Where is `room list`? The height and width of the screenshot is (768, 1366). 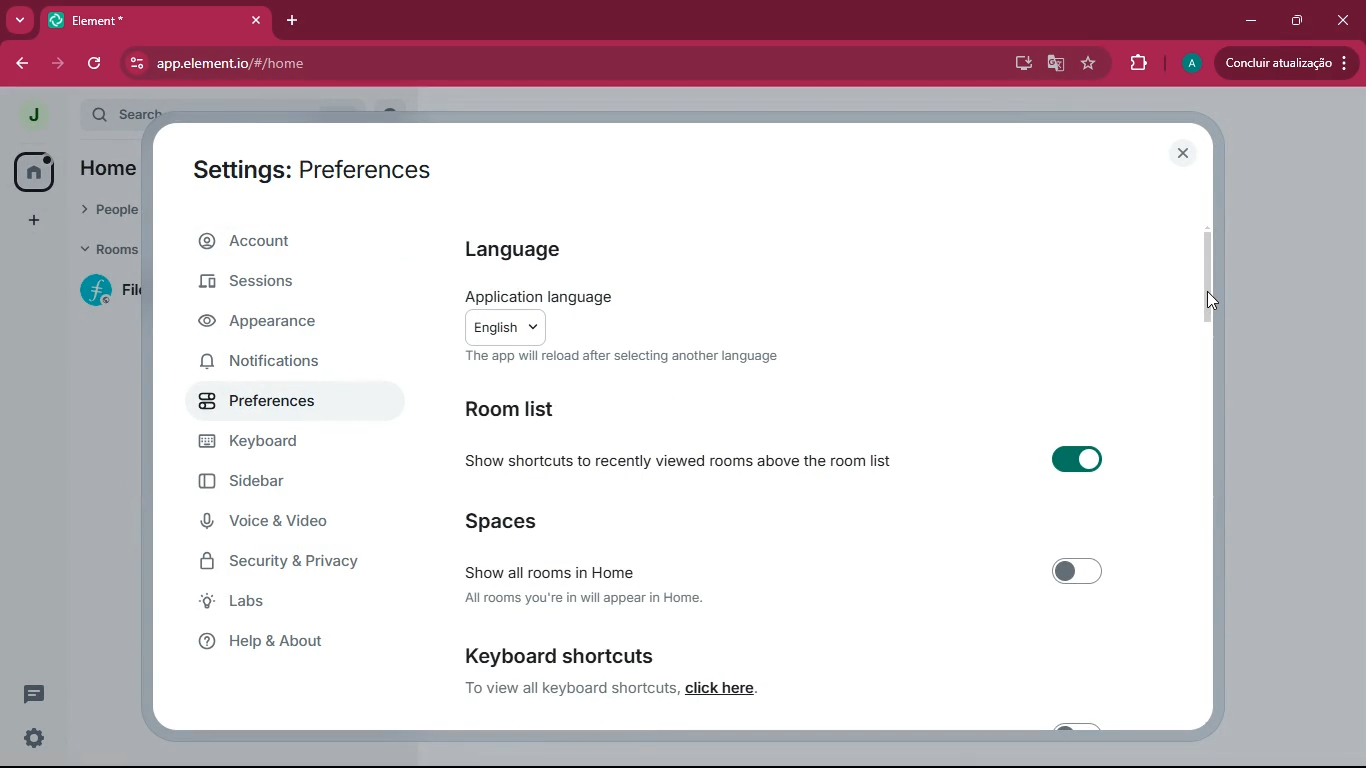 room list is located at coordinates (519, 408).